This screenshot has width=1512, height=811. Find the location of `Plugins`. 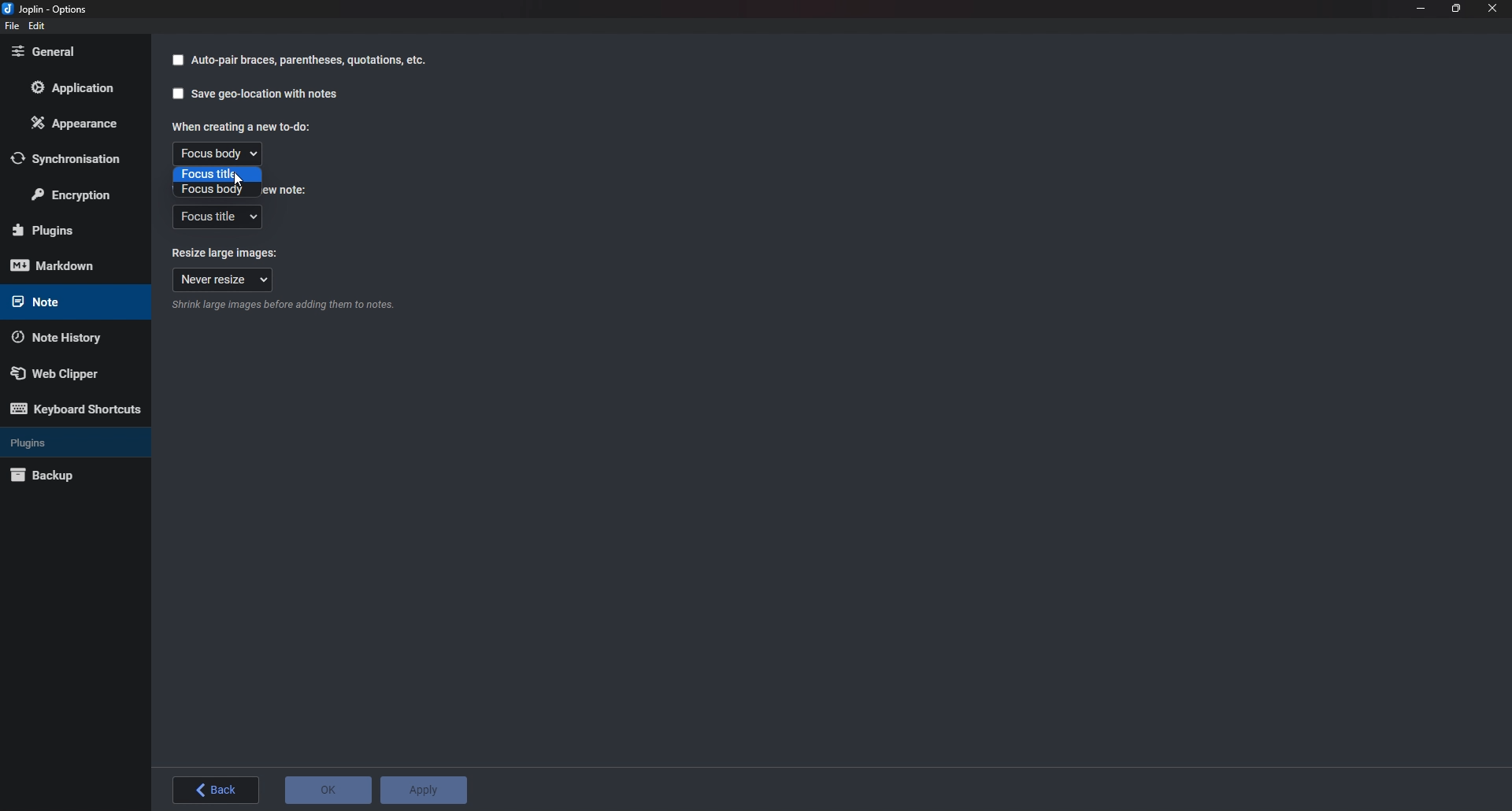

Plugins is located at coordinates (71, 230).